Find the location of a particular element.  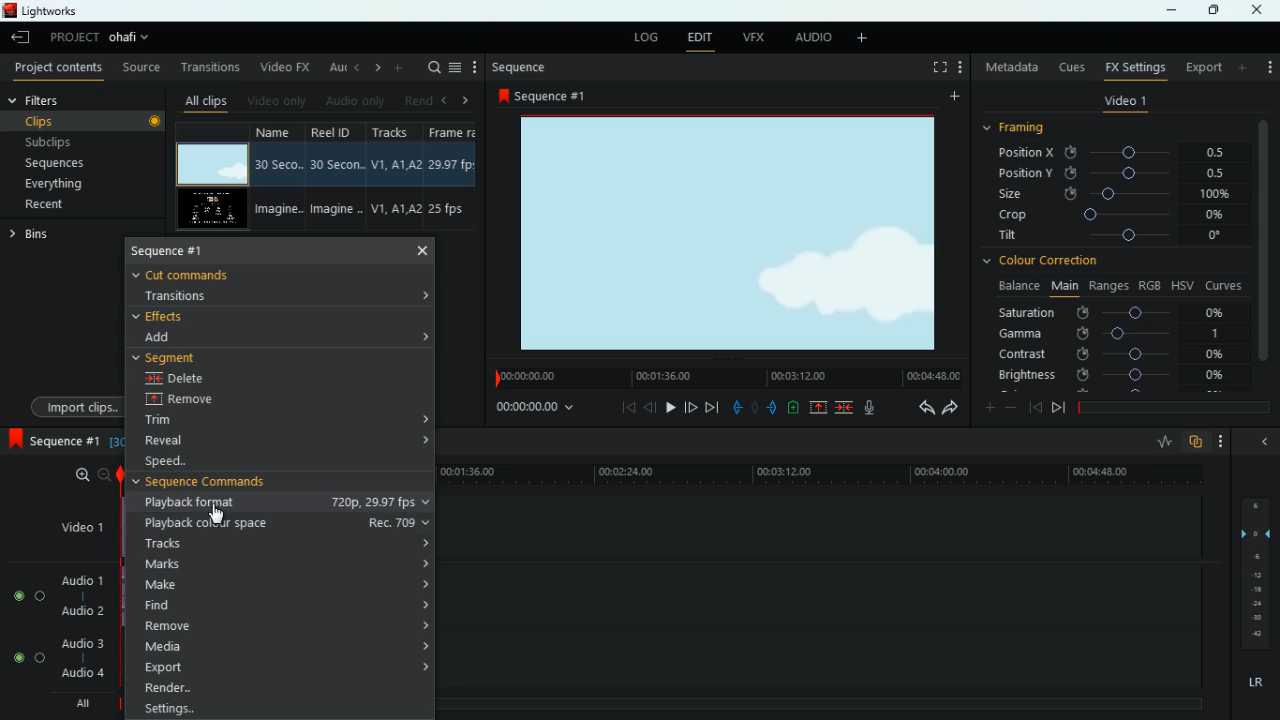

make is located at coordinates (287, 584).